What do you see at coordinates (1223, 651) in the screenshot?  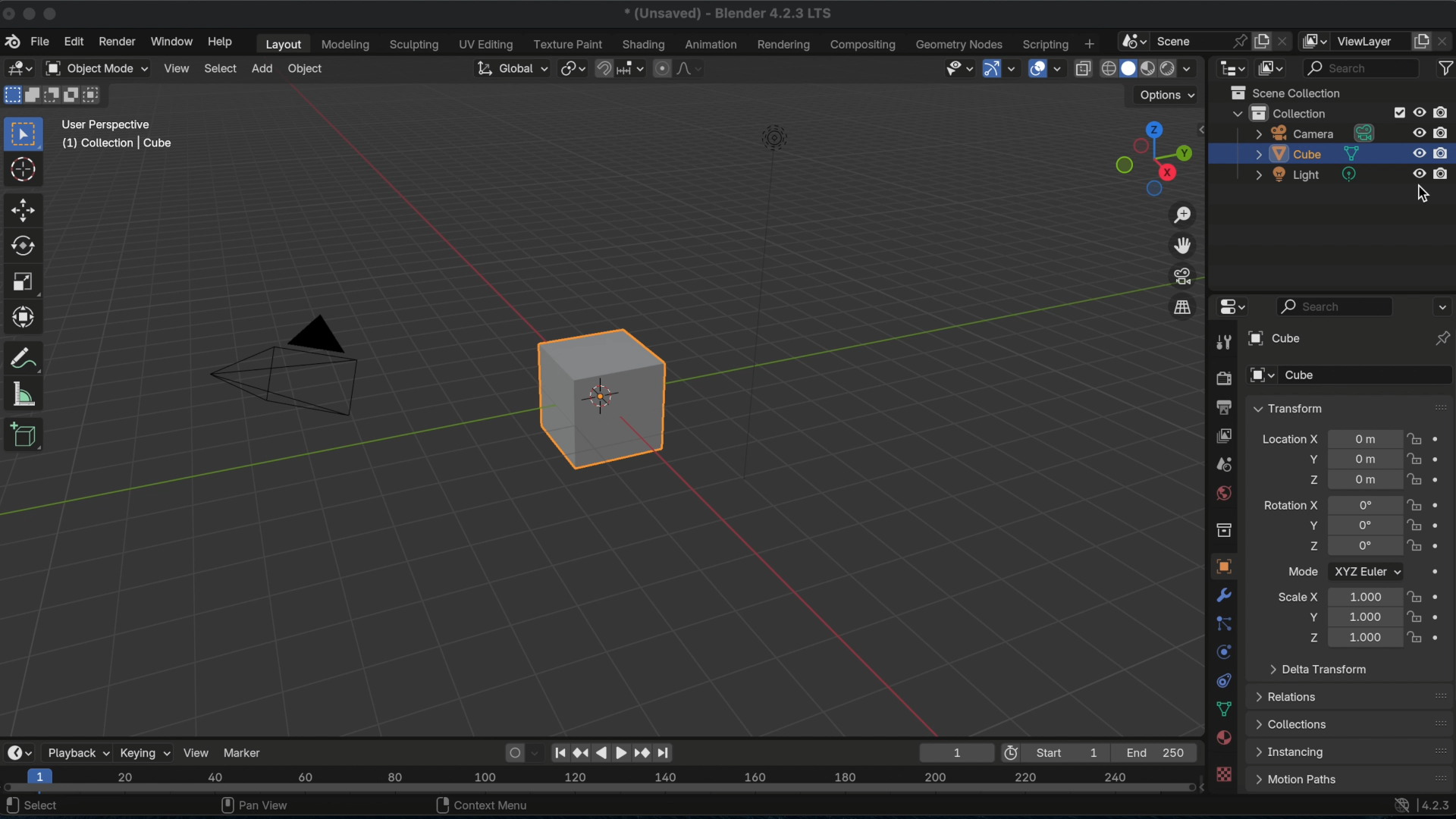 I see `physics` at bounding box center [1223, 651].